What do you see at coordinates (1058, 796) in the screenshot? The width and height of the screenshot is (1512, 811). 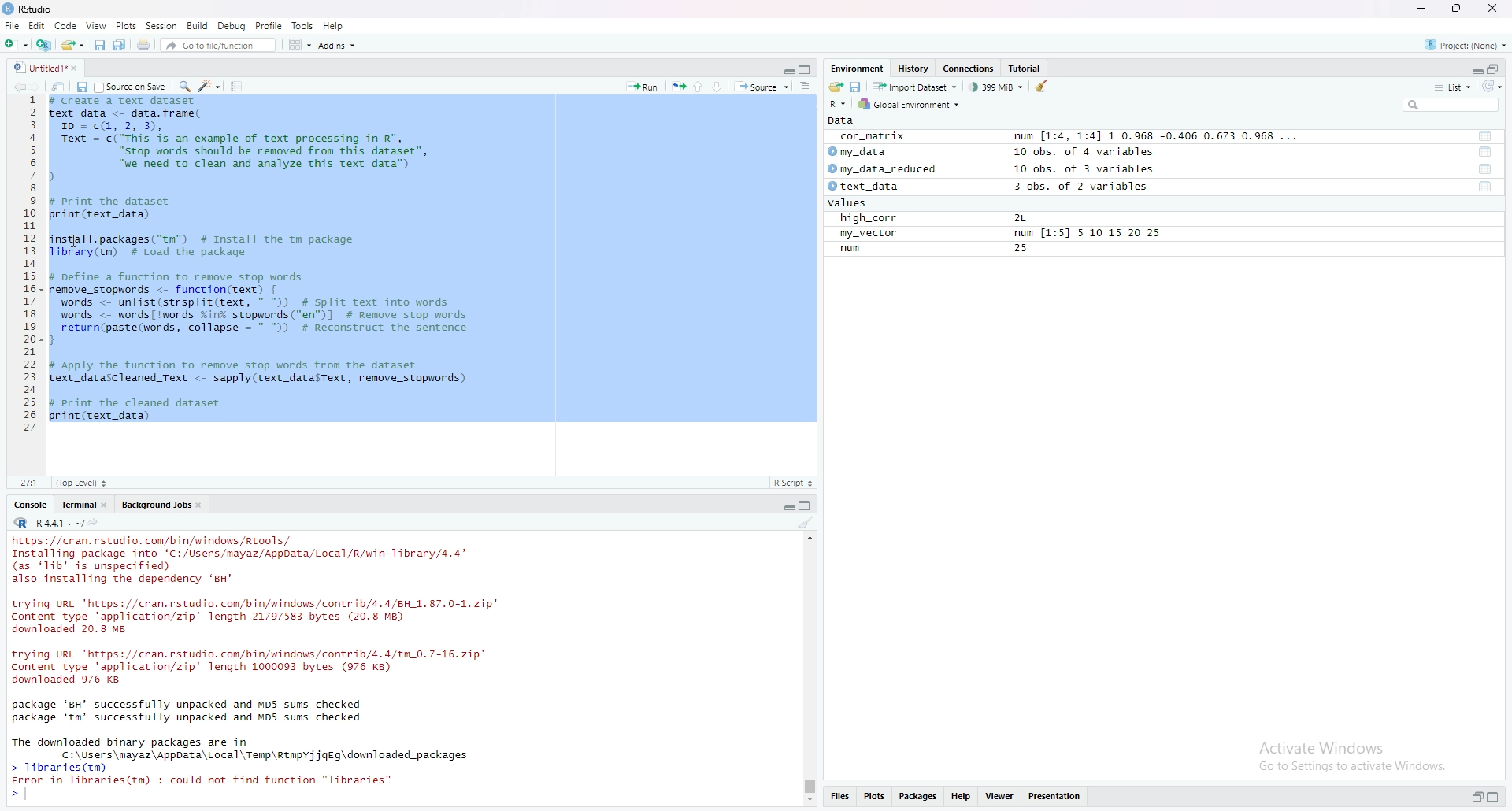 I see `presentation` at bounding box center [1058, 796].